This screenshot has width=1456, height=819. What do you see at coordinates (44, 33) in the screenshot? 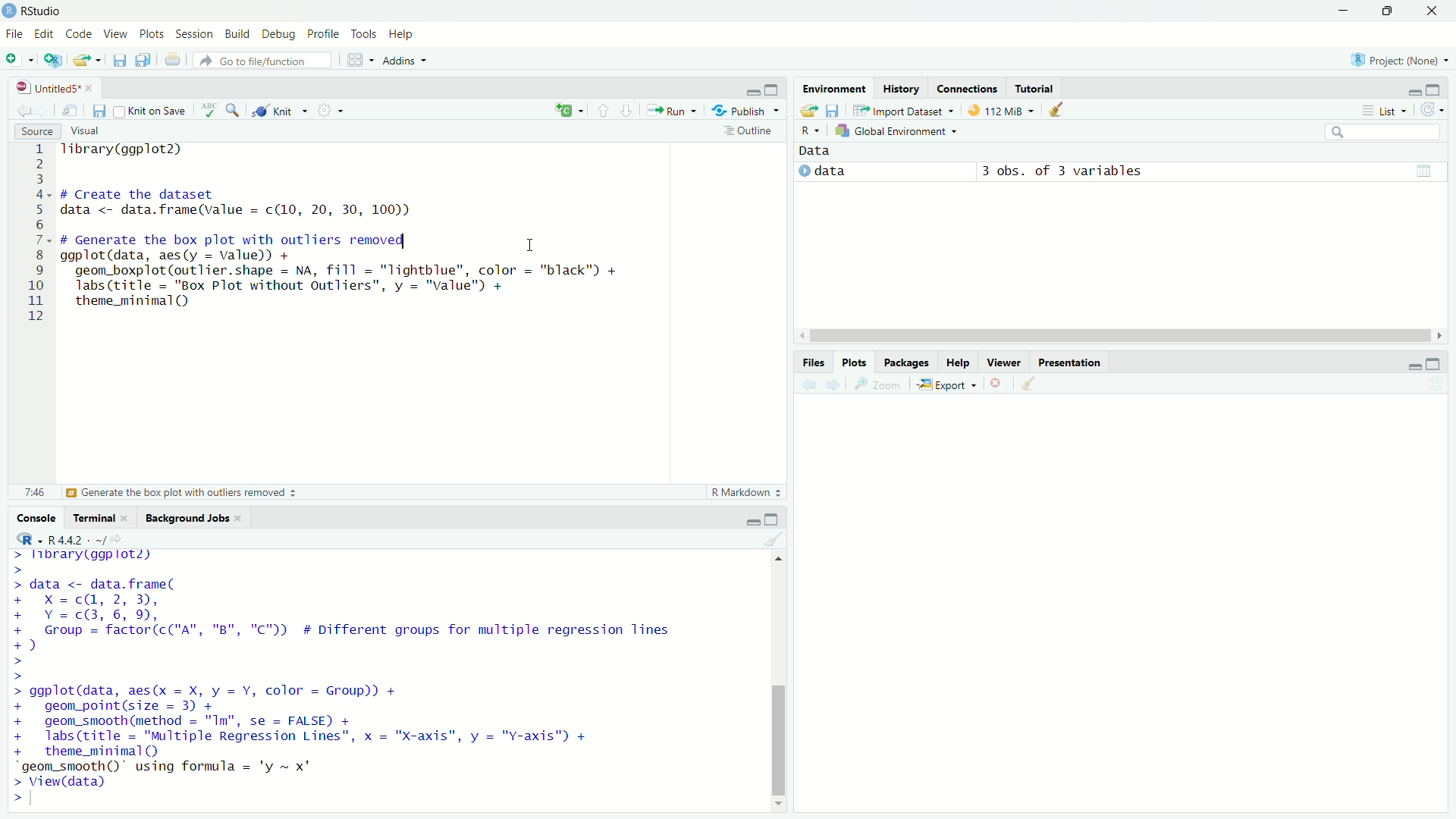
I see `Edit` at bounding box center [44, 33].